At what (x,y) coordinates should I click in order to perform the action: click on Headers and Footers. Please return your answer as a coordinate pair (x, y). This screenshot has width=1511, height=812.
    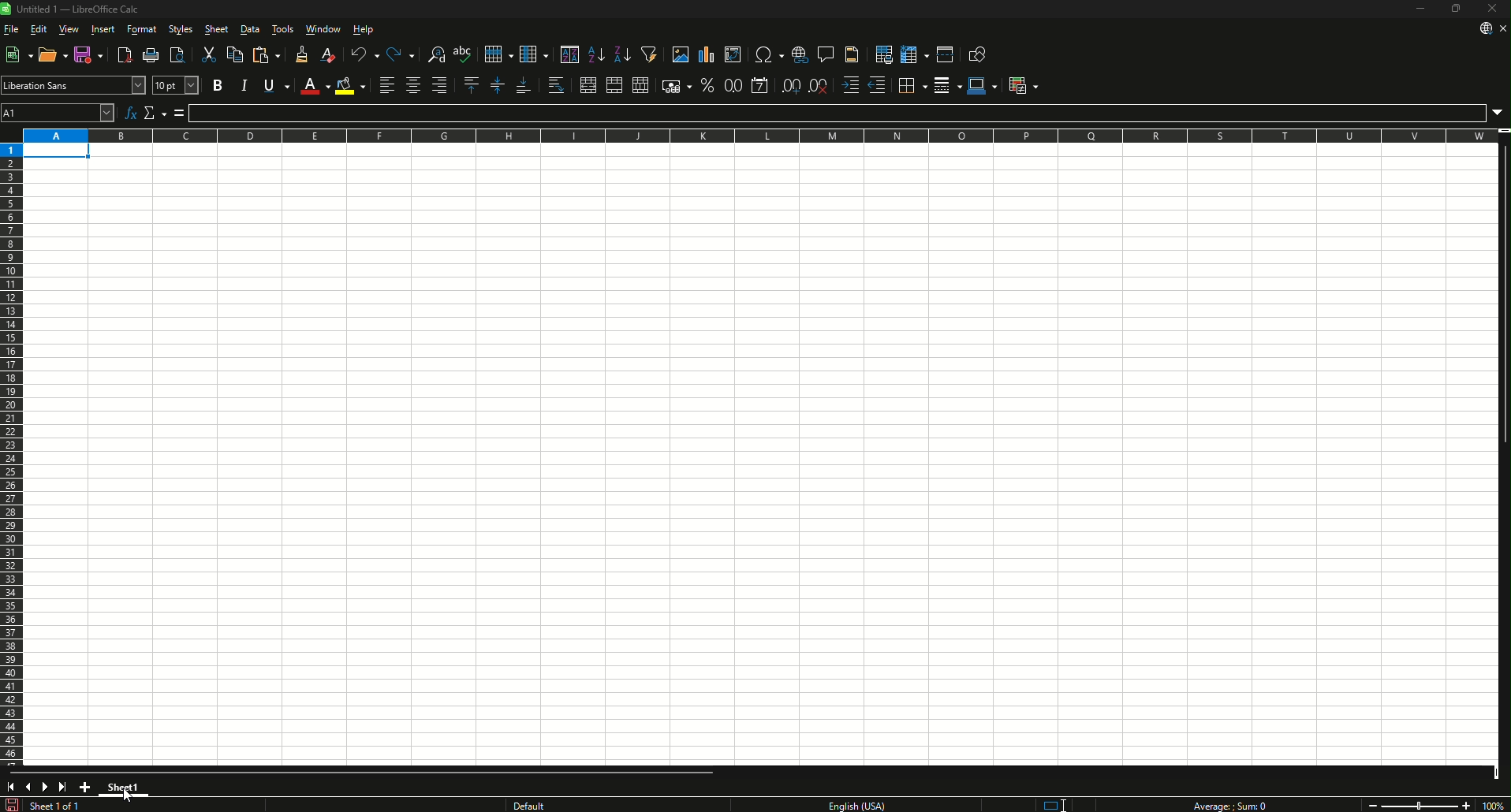
    Looking at the image, I should click on (853, 54).